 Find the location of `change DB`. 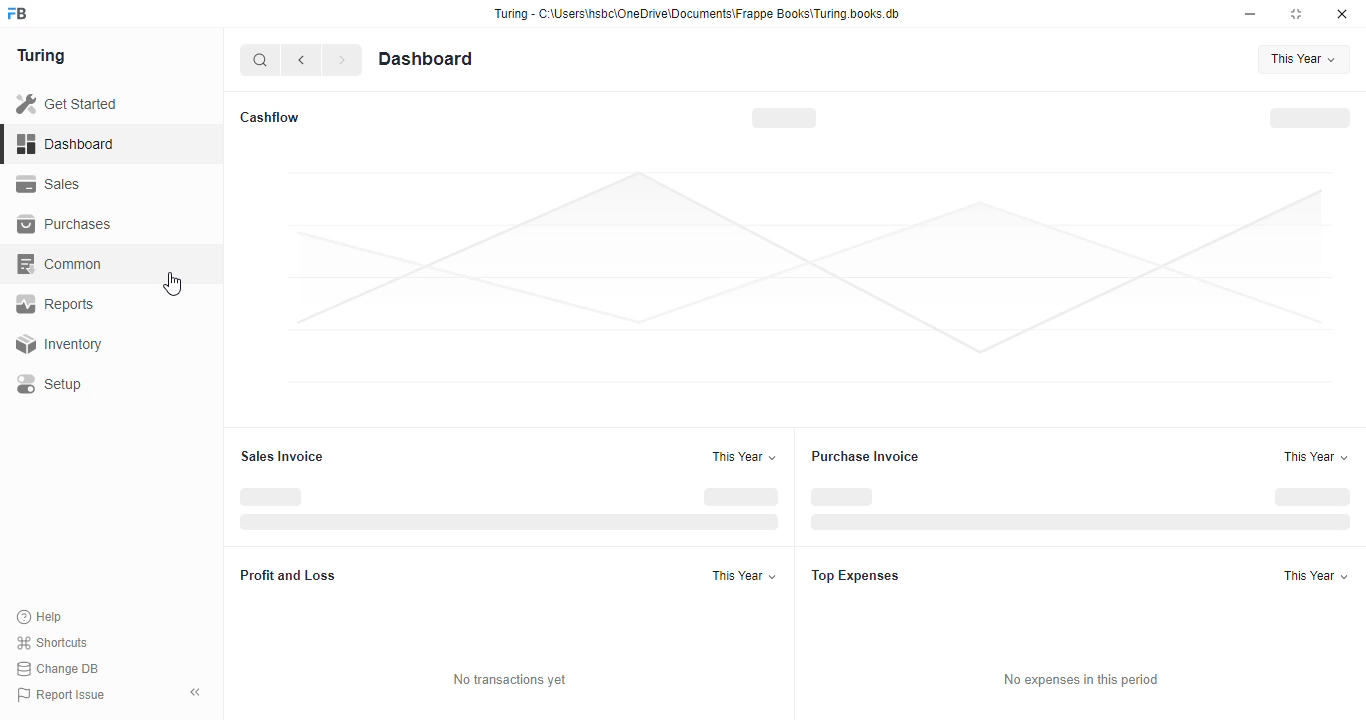

change DB is located at coordinates (58, 669).